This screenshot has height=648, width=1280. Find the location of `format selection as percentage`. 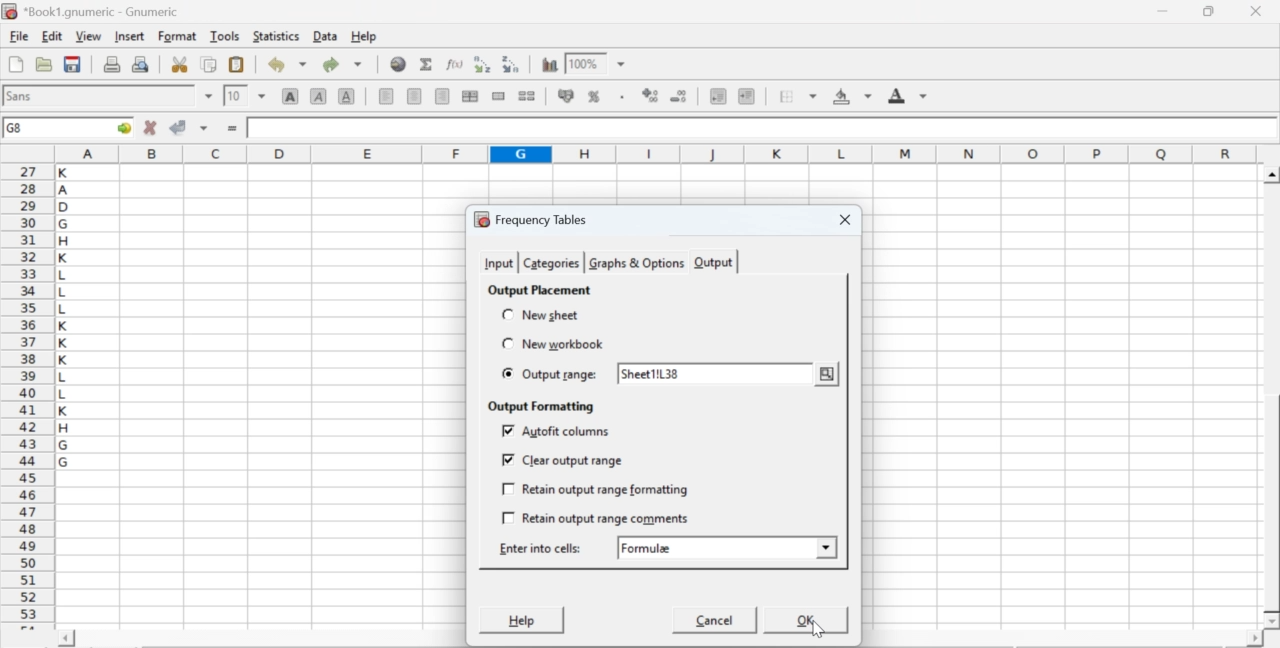

format selection as percentage is located at coordinates (592, 96).